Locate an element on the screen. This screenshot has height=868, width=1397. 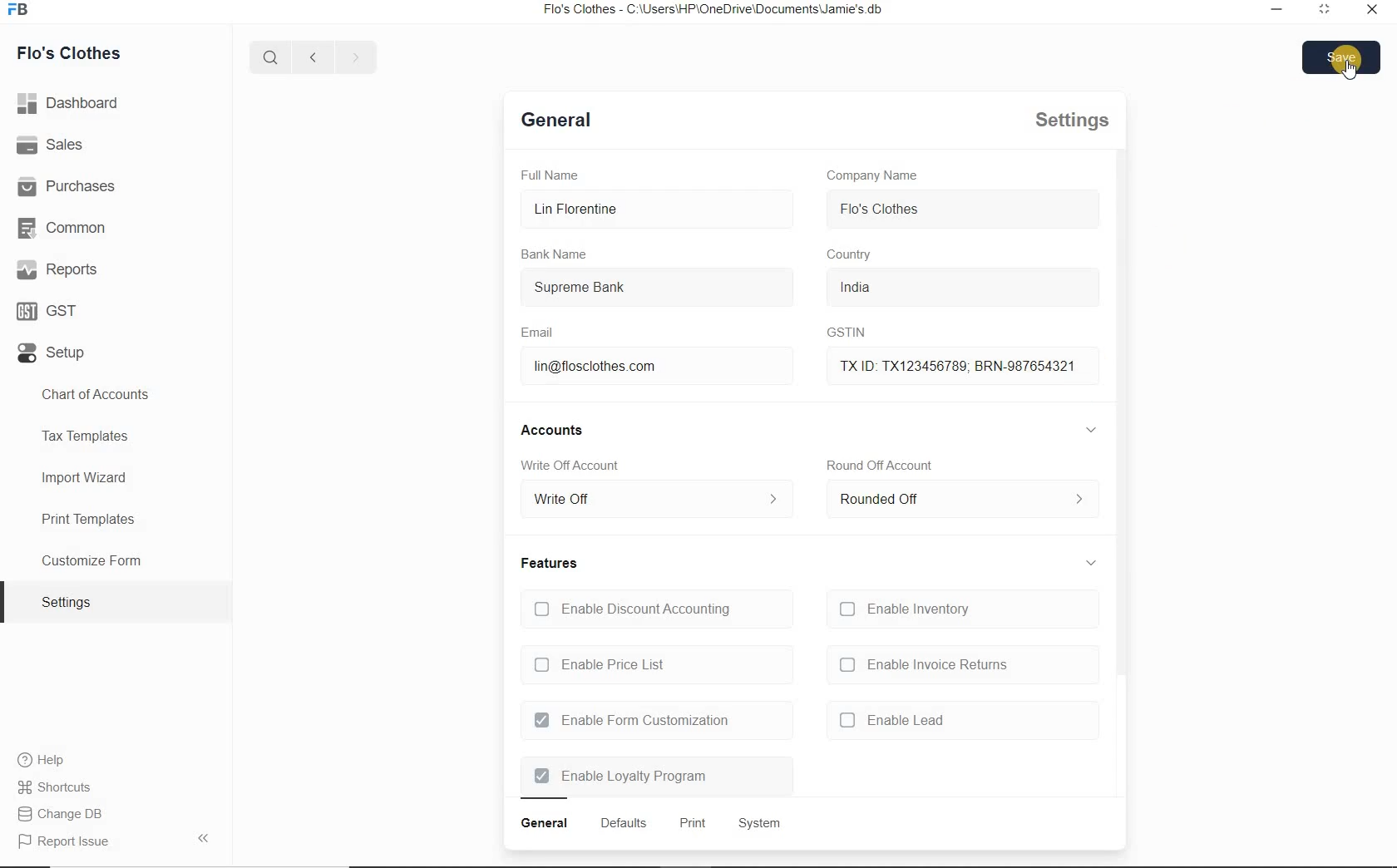
icon is located at coordinates (23, 14).